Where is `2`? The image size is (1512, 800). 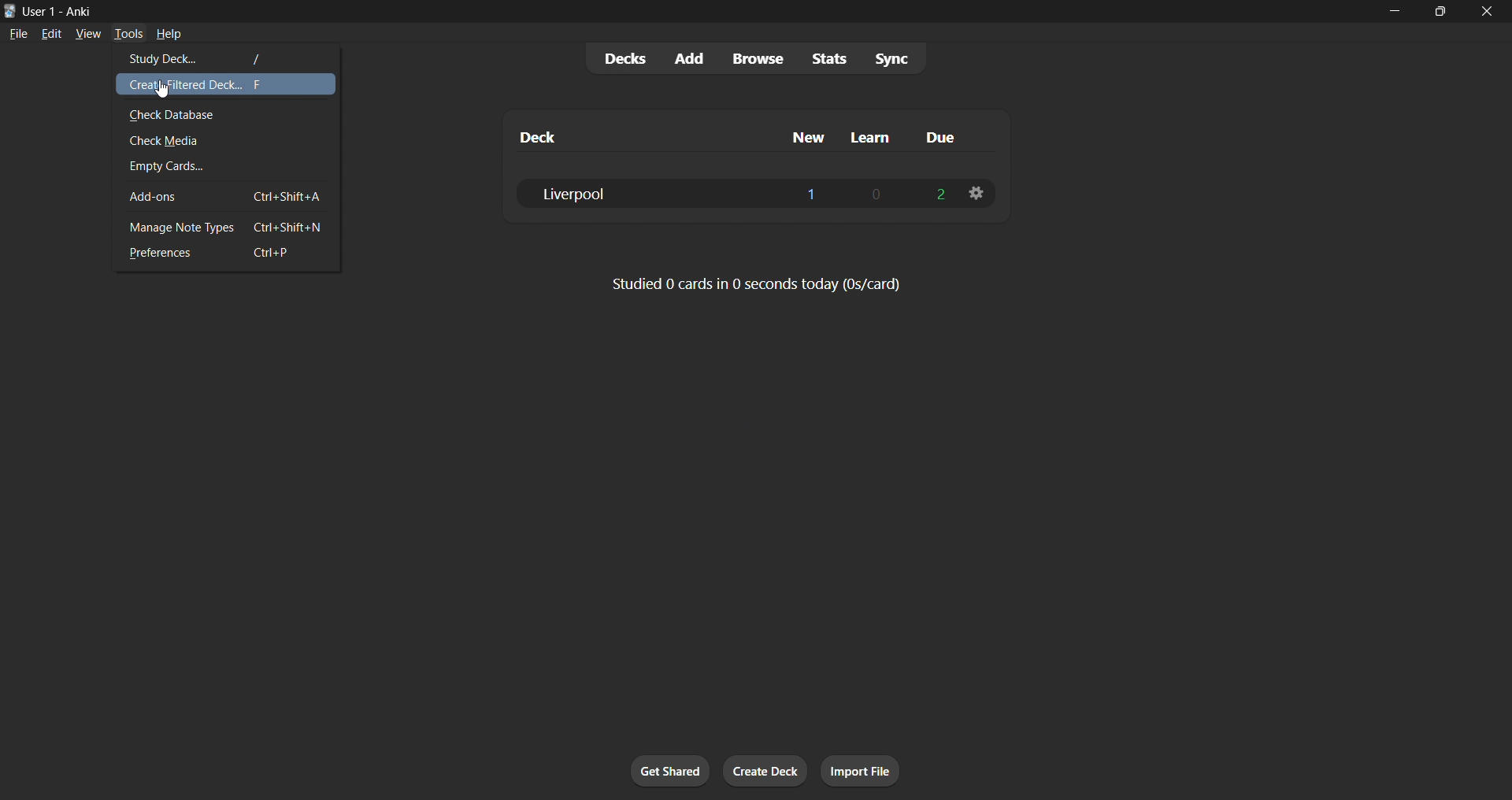
2 is located at coordinates (936, 194).